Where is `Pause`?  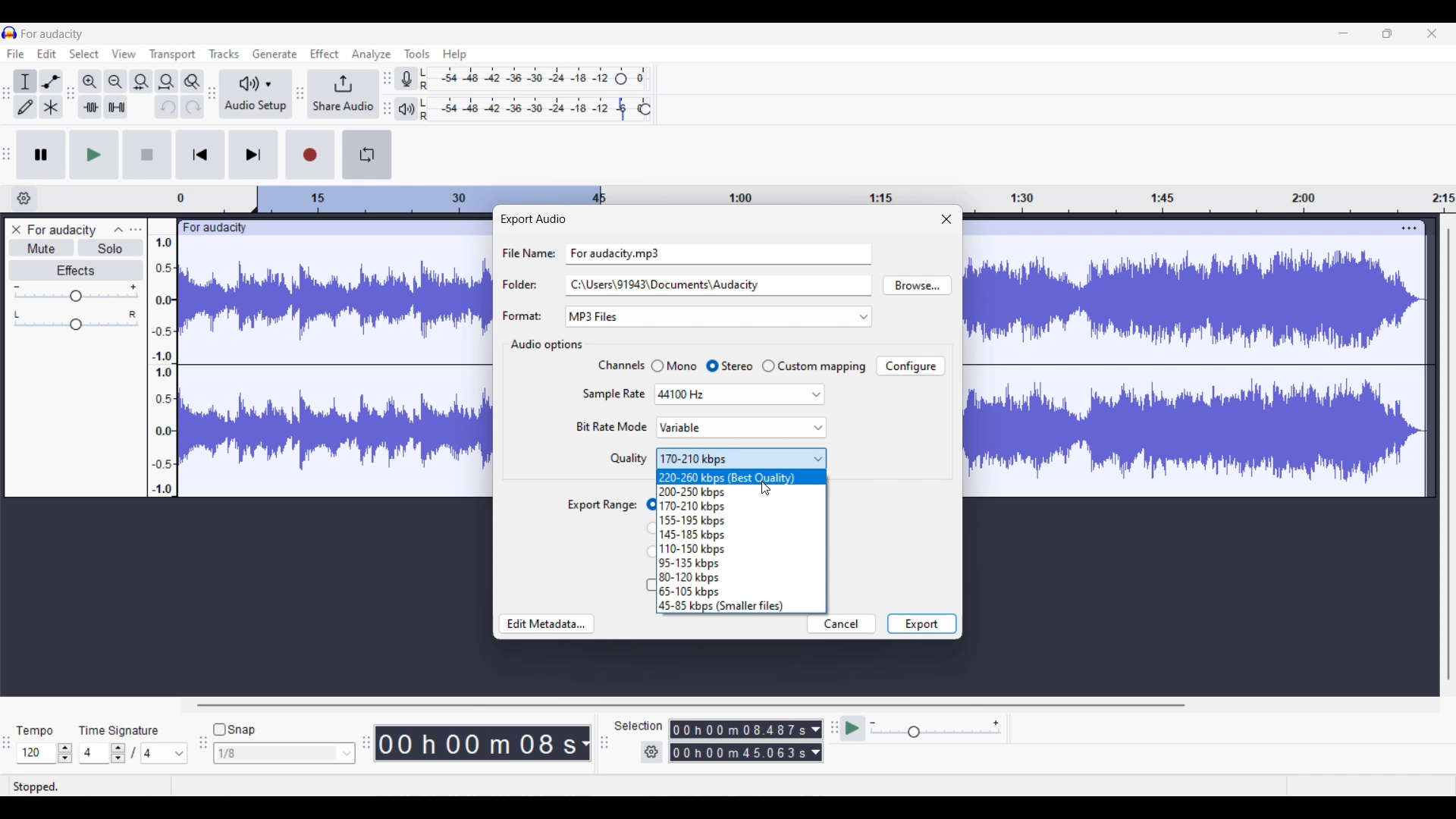
Pause is located at coordinates (41, 155).